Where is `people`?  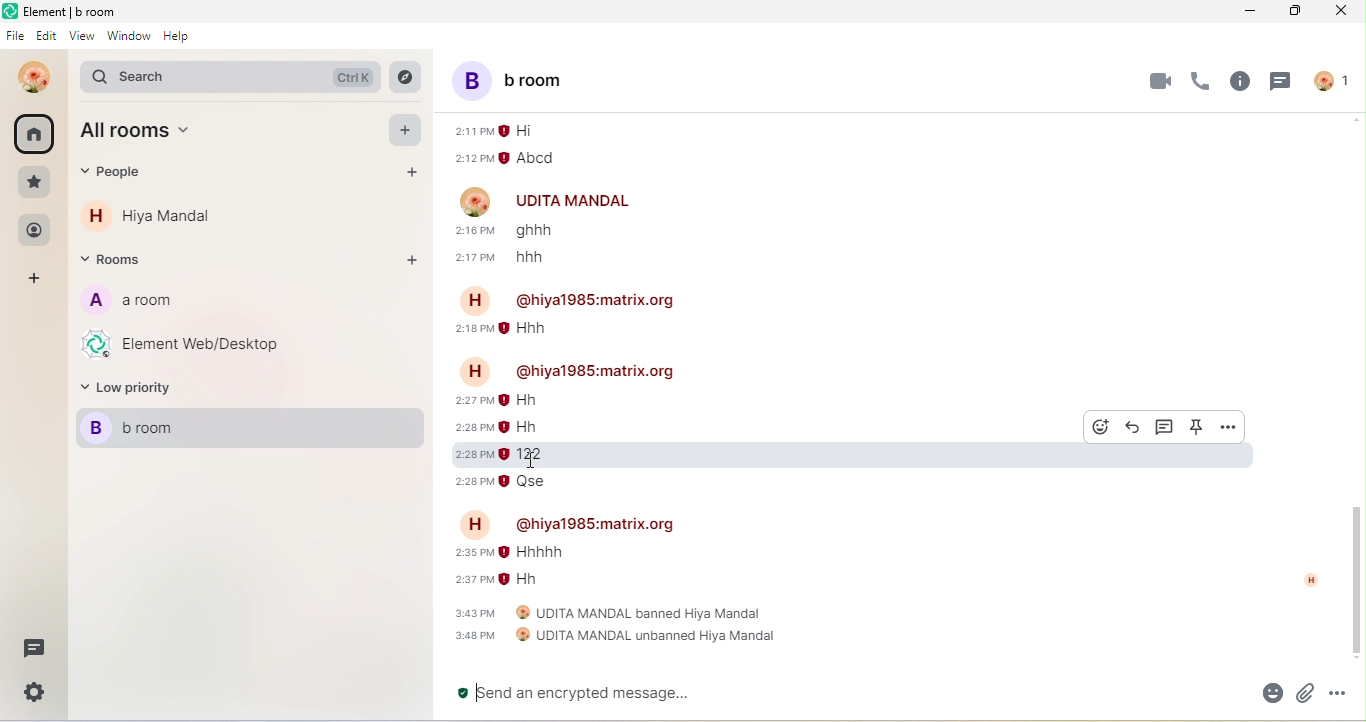 people is located at coordinates (123, 177).